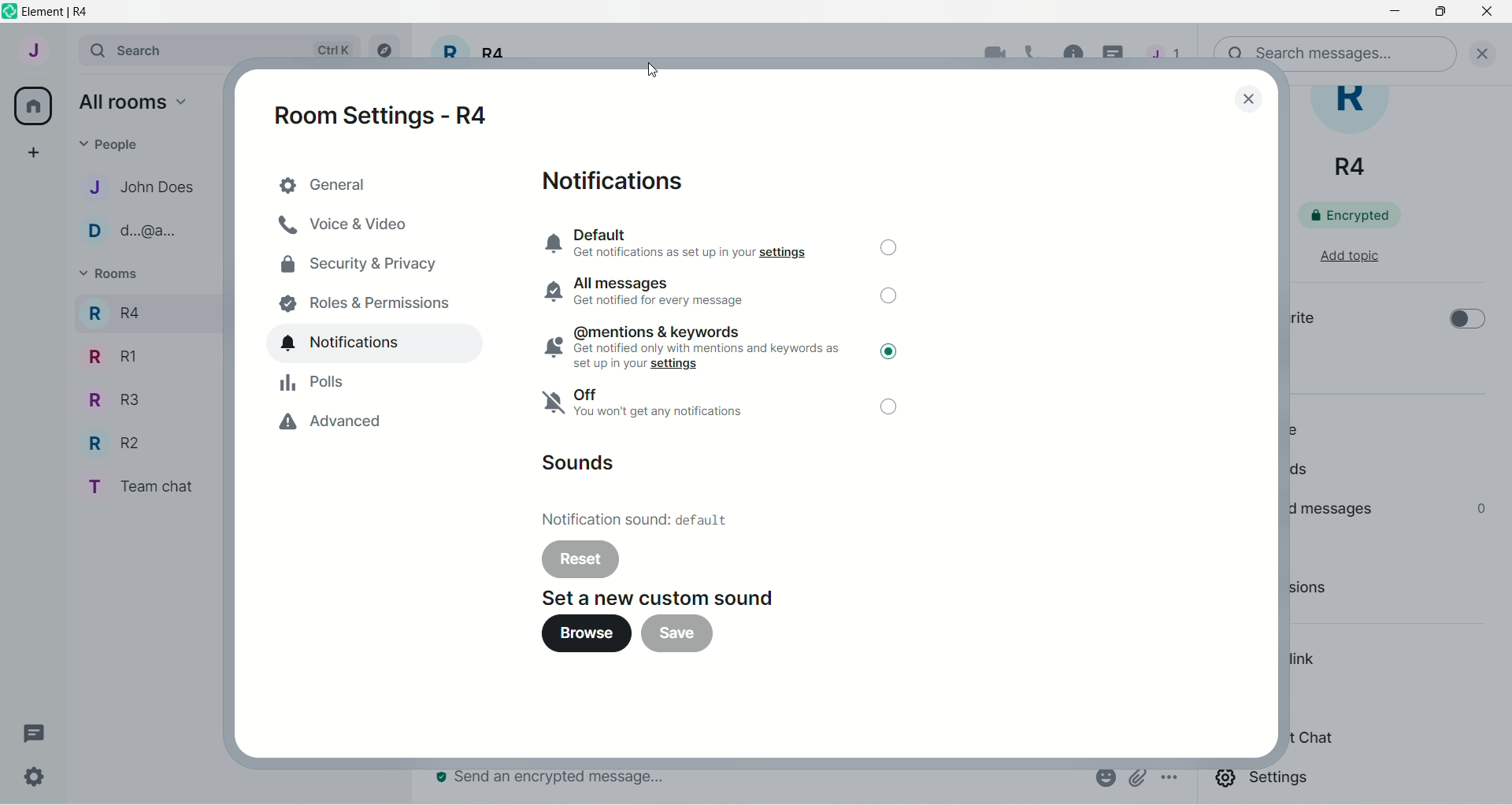  What do you see at coordinates (365, 299) in the screenshot?
I see `Roles & Permissions` at bounding box center [365, 299].